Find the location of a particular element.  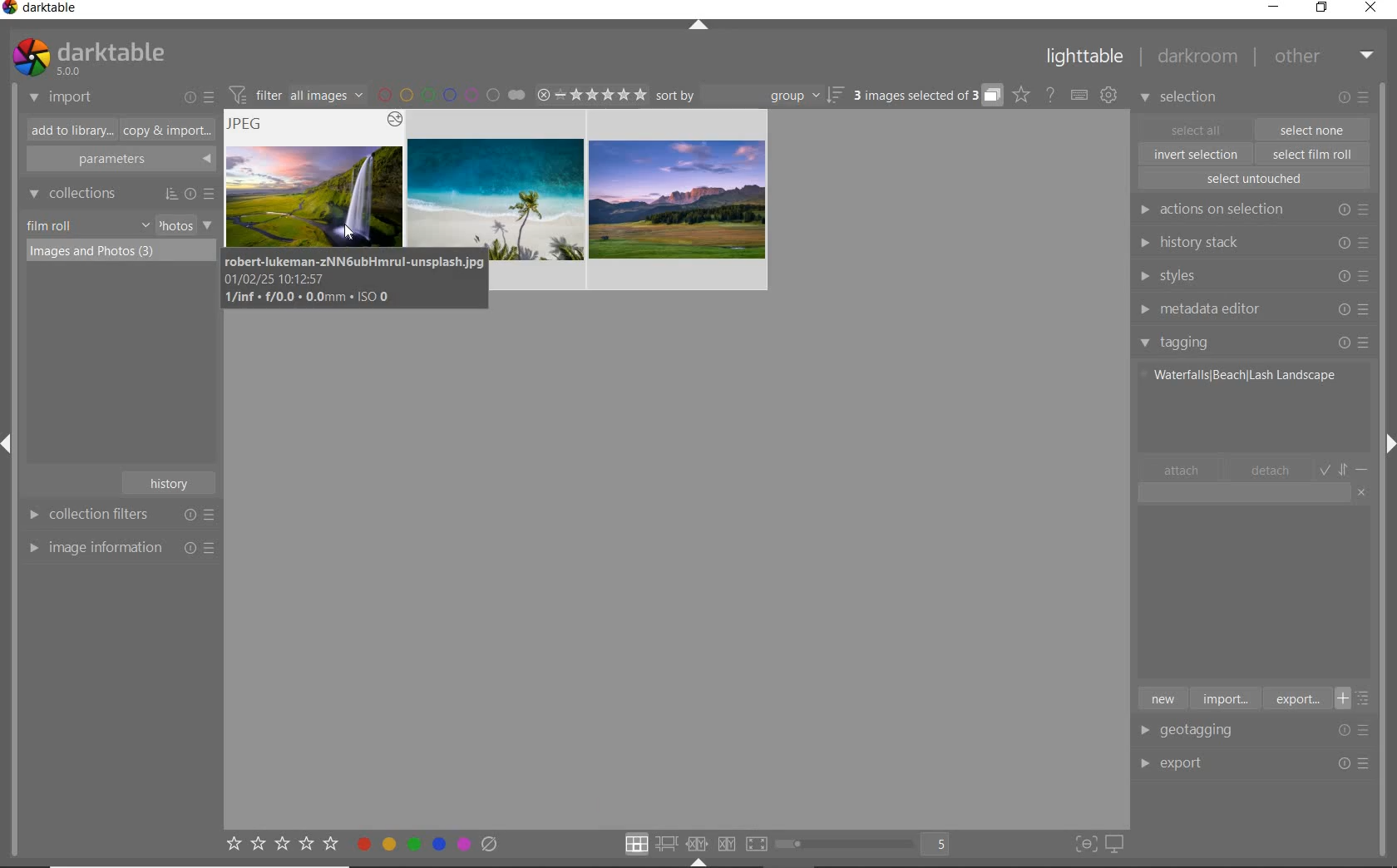

expand/collapse is located at coordinates (699, 27).